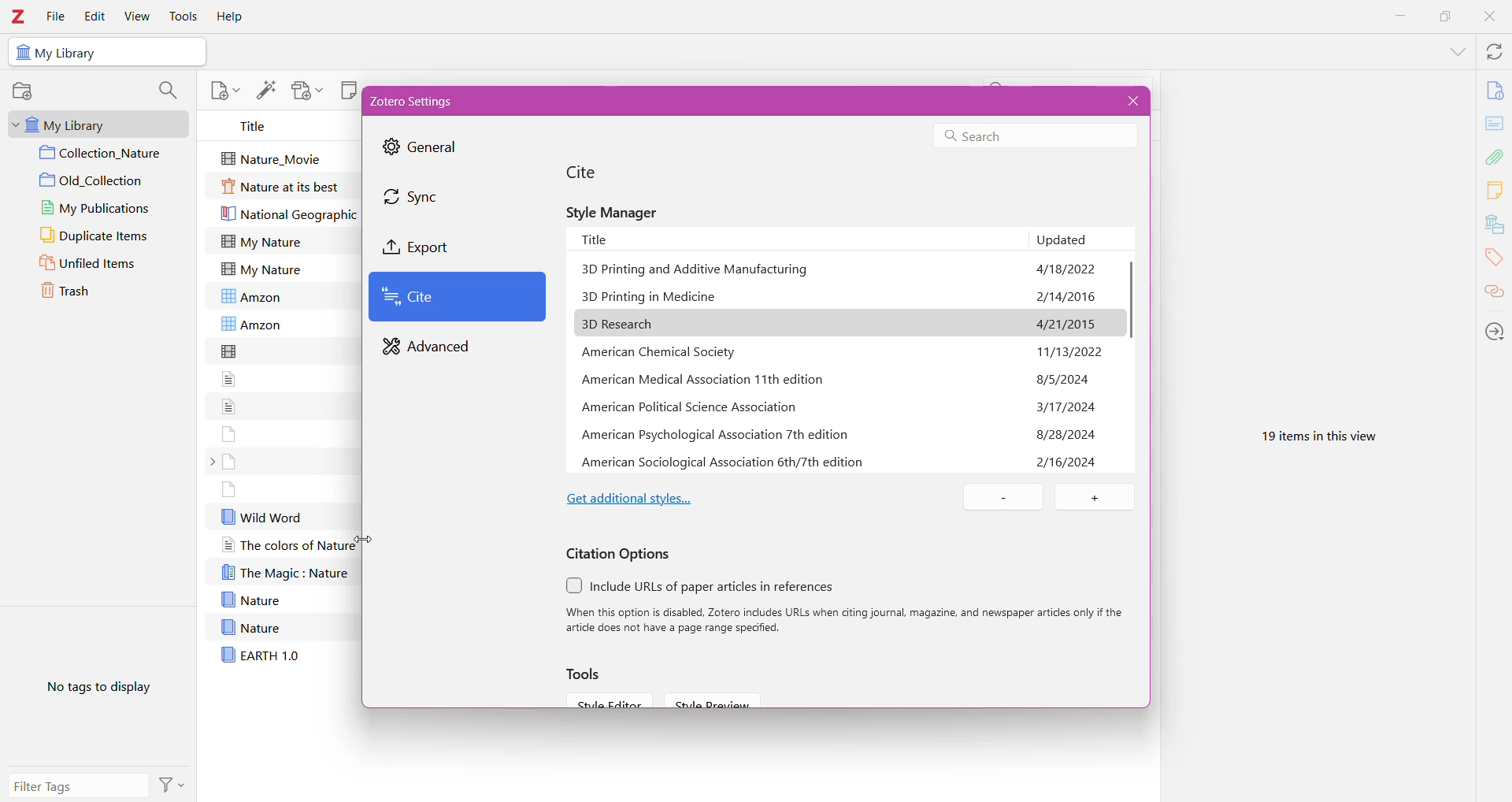 The image size is (1512, 802). What do you see at coordinates (290, 215) in the screenshot?
I see `National Geographic` at bounding box center [290, 215].